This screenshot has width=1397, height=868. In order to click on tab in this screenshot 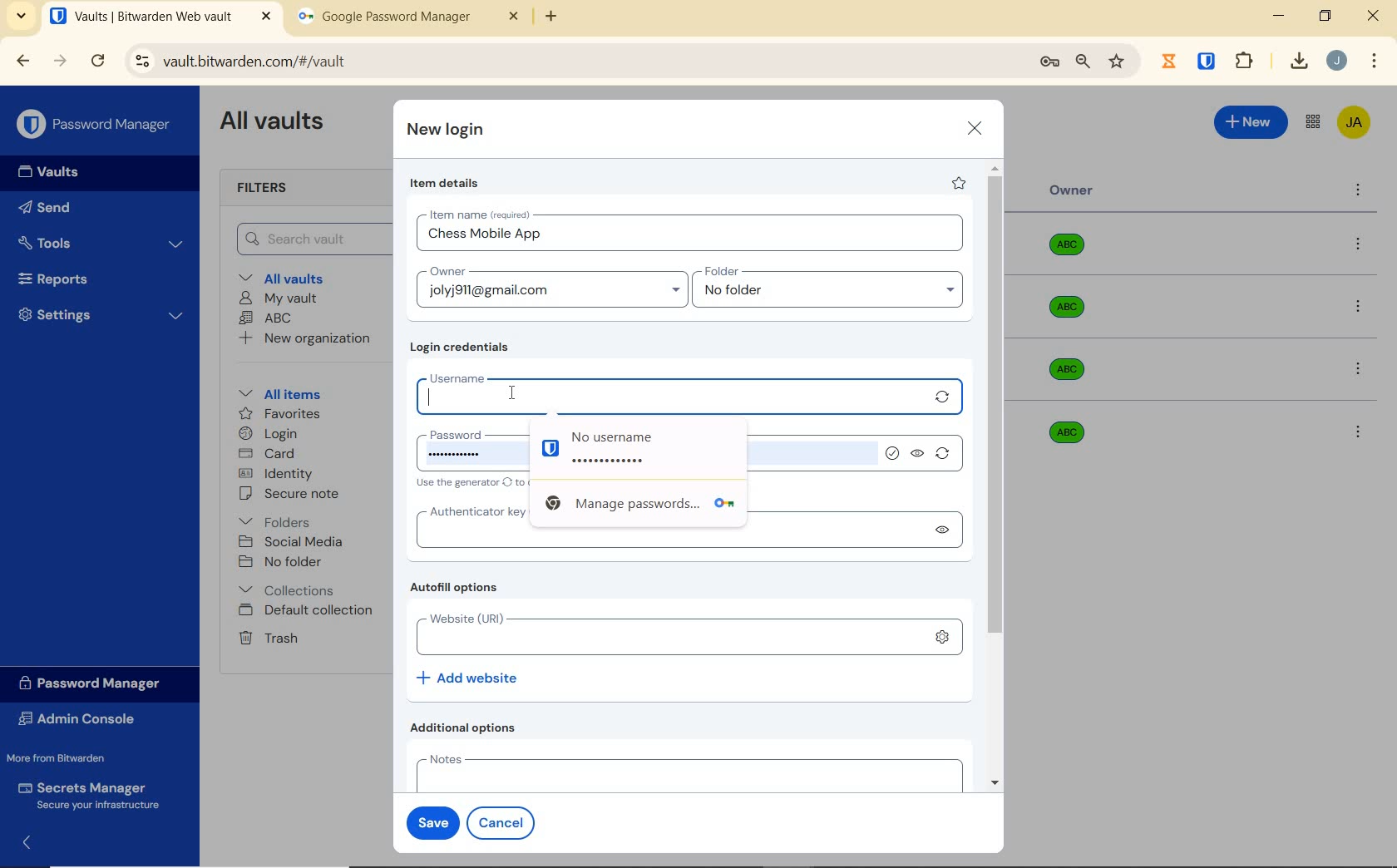, I will do `click(408, 20)`.